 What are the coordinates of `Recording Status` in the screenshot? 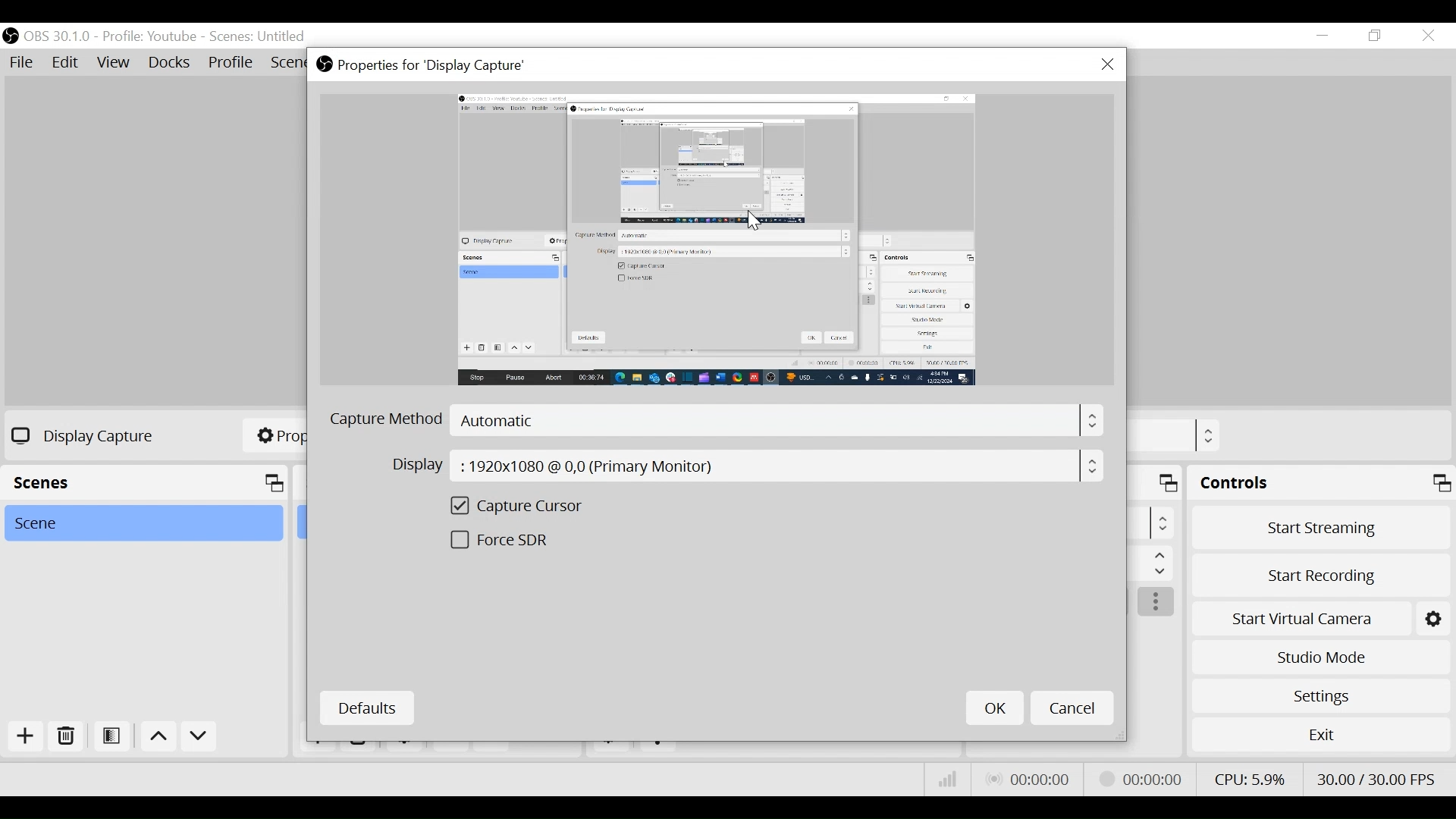 It's located at (1145, 777).